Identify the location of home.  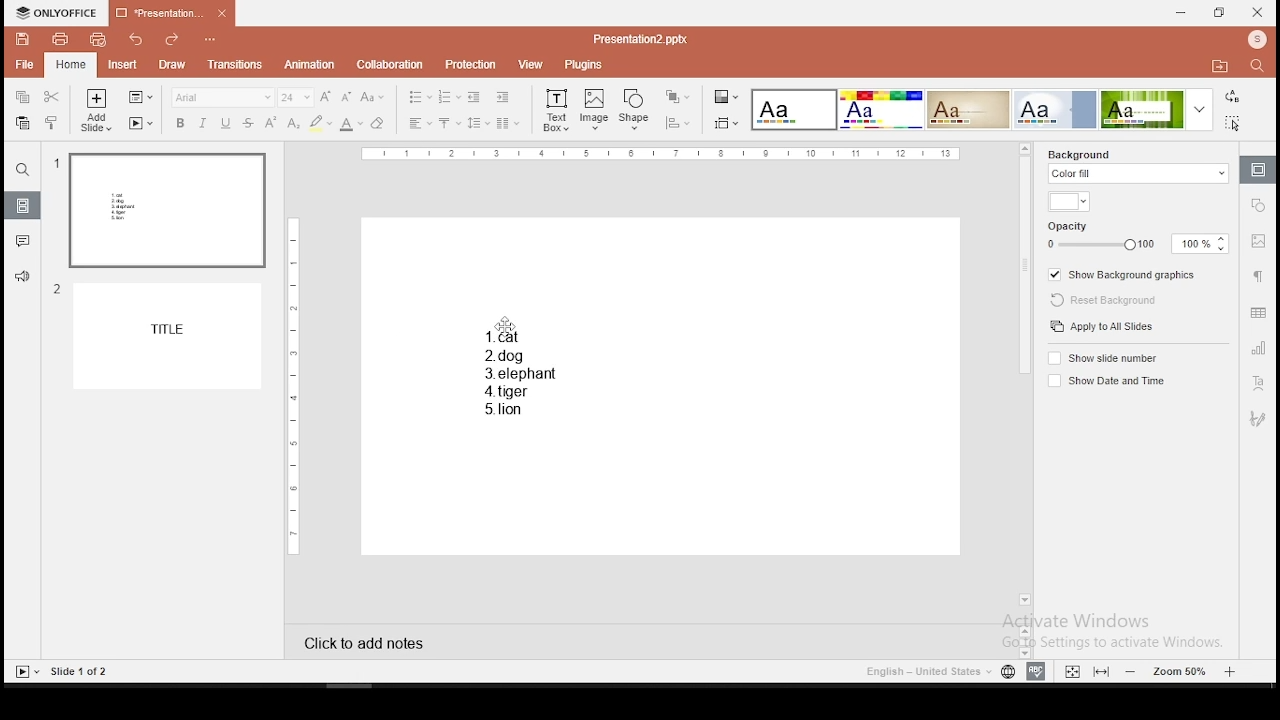
(72, 64).